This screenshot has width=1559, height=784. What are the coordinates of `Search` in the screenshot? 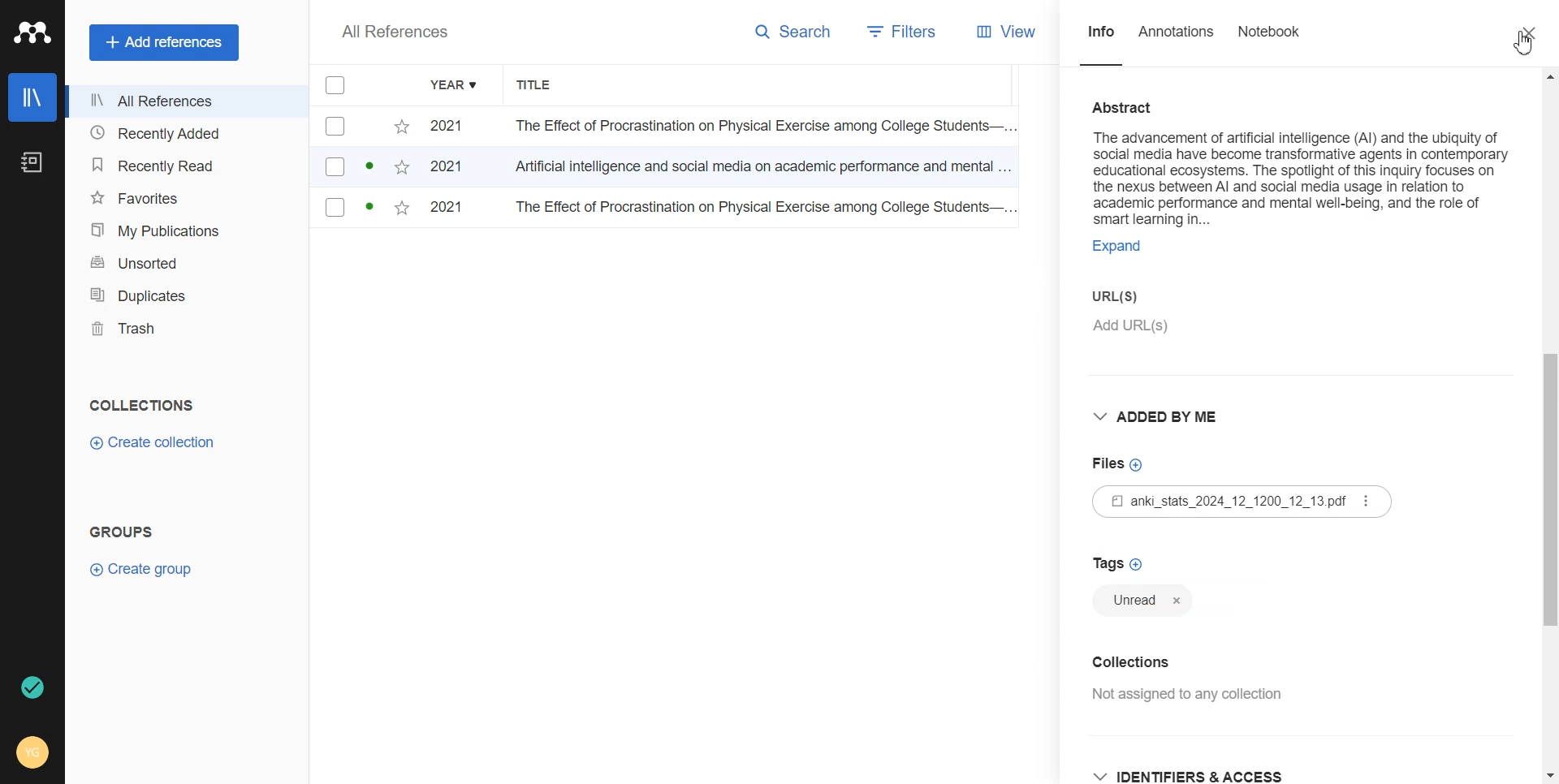 It's located at (797, 32).